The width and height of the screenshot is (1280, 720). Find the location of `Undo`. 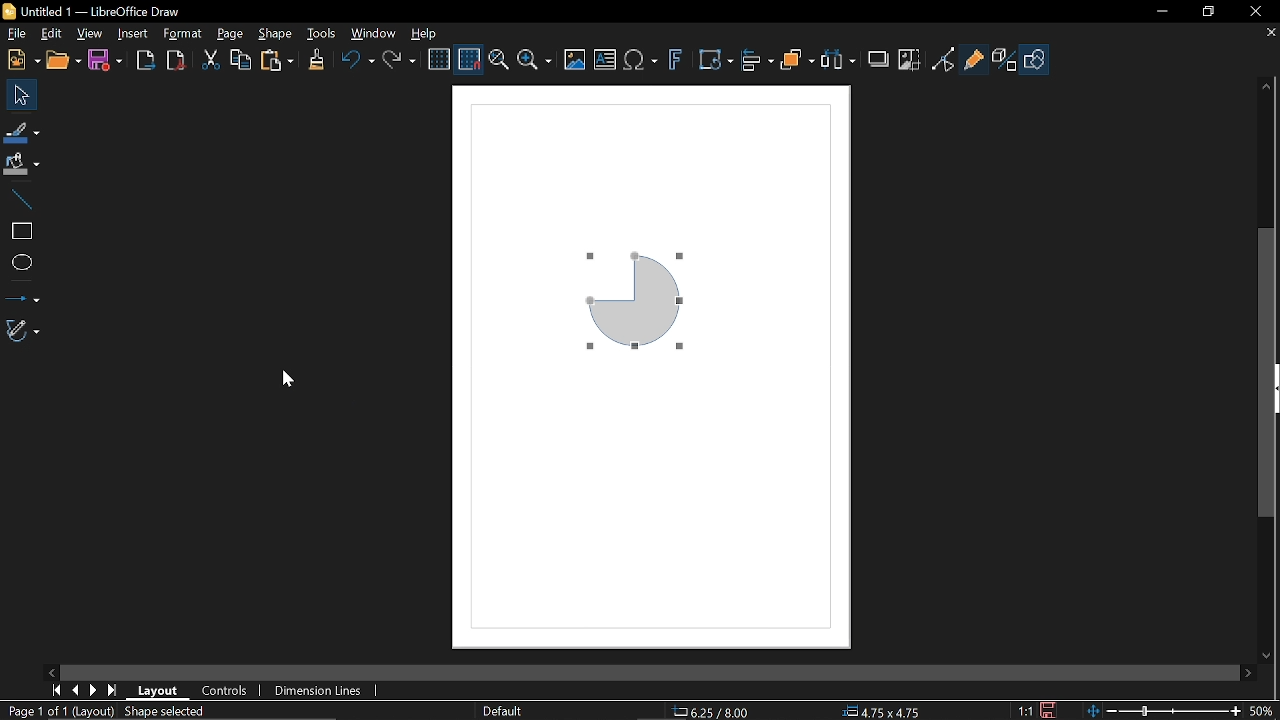

Undo is located at coordinates (358, 62).